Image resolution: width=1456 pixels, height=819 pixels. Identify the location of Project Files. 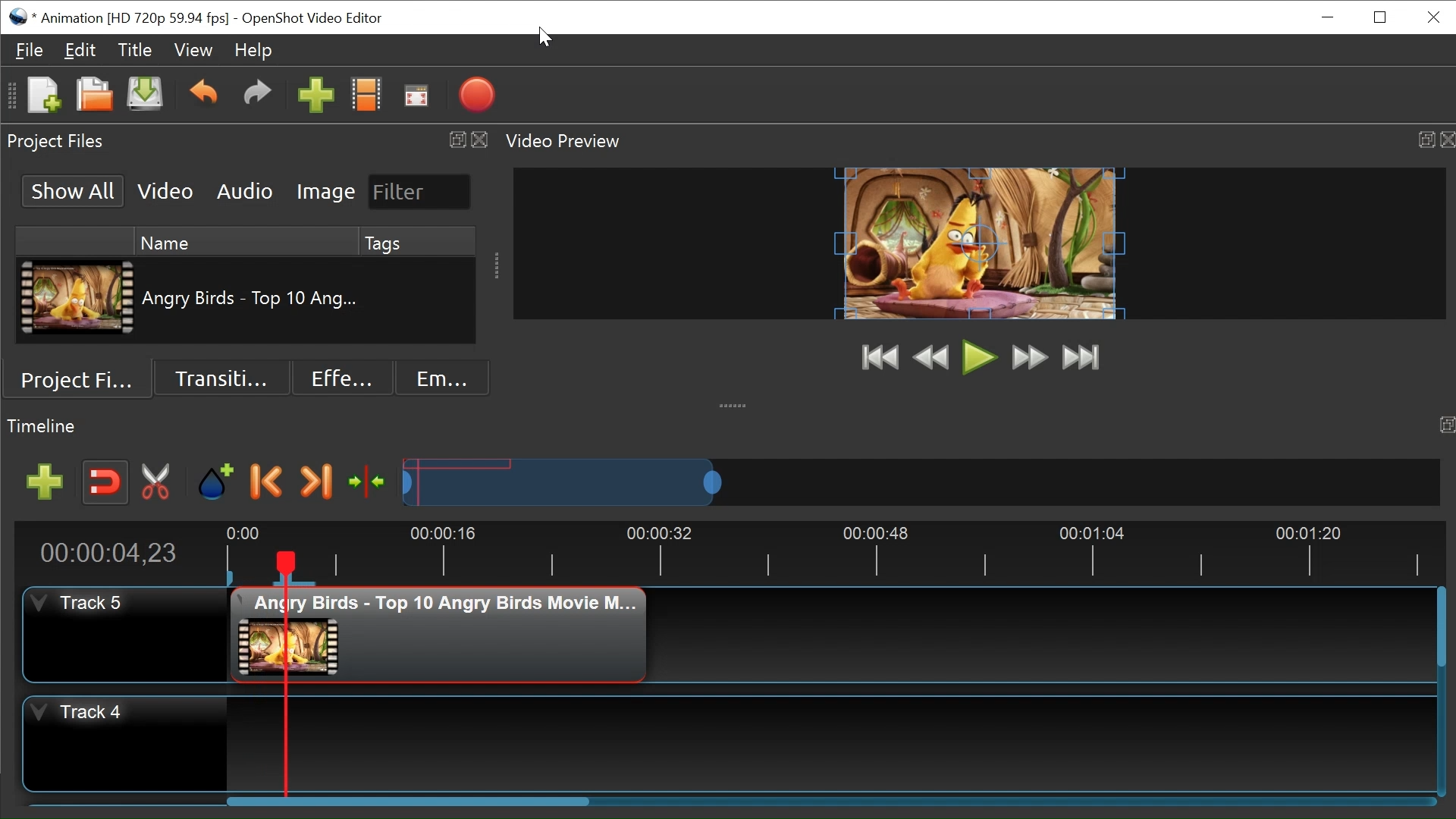
(83, 378).